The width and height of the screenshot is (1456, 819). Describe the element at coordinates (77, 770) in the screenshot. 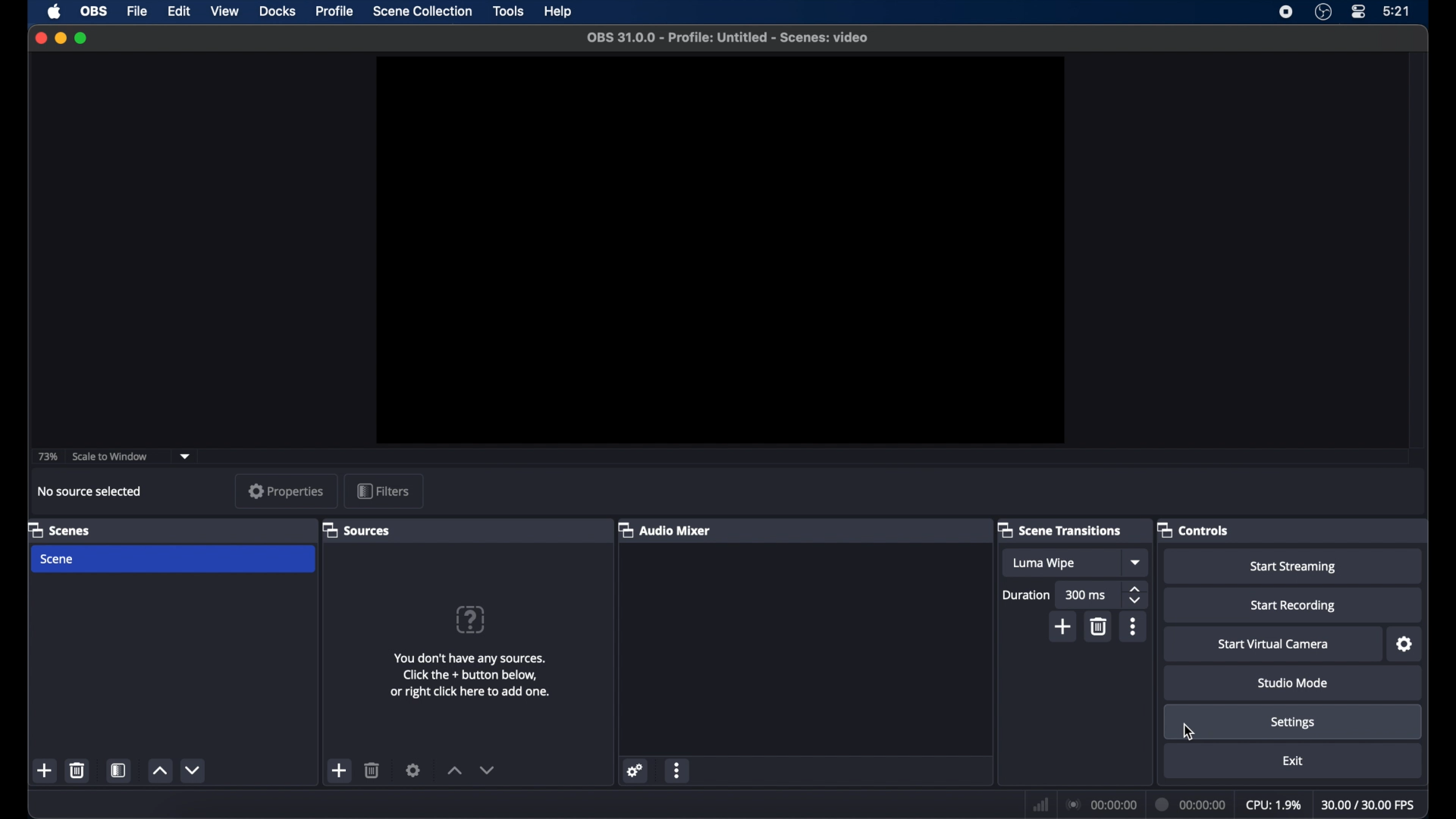

I see `delete` at that location.